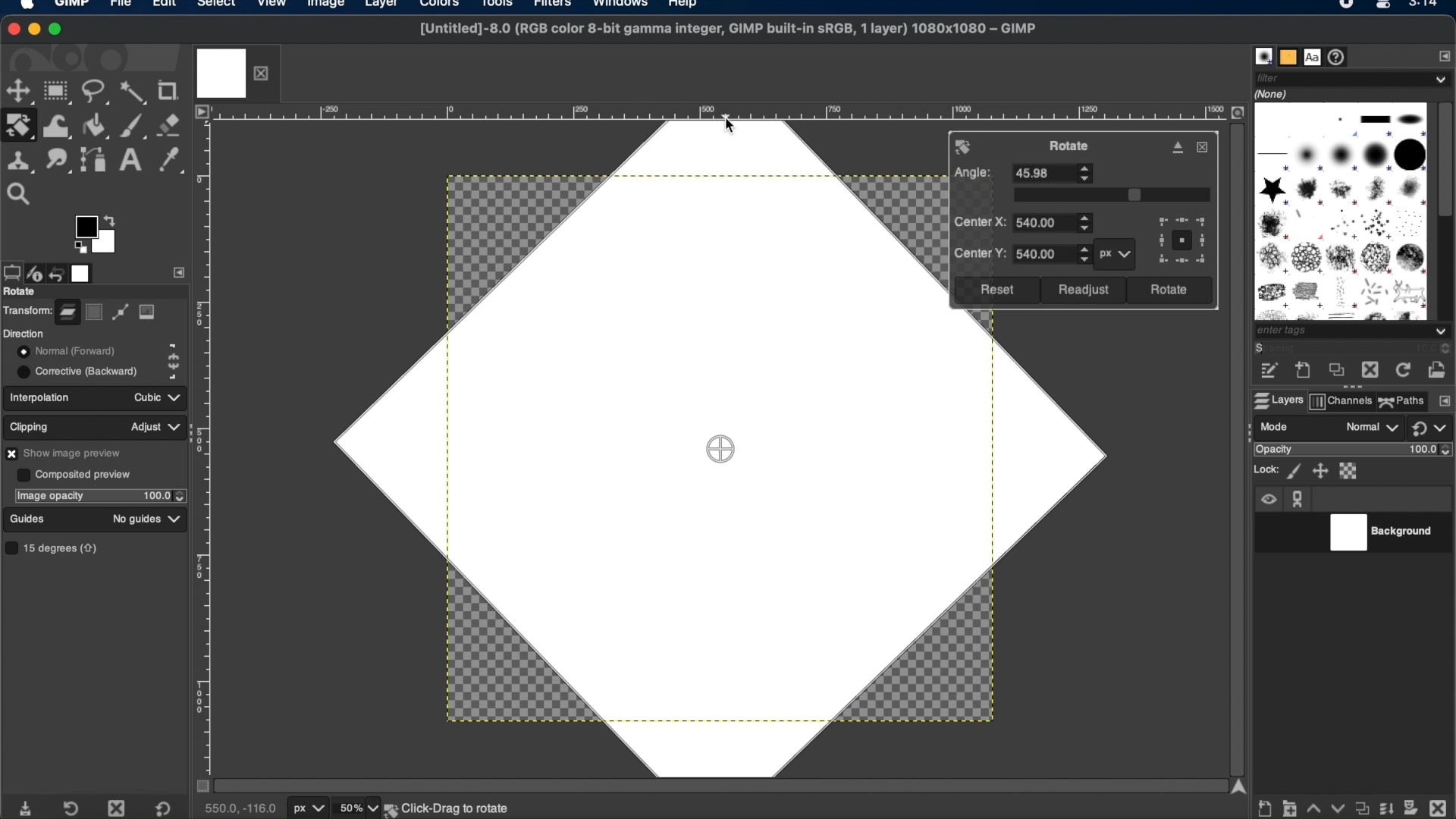  I want to click on maximize, so click(58, 30).